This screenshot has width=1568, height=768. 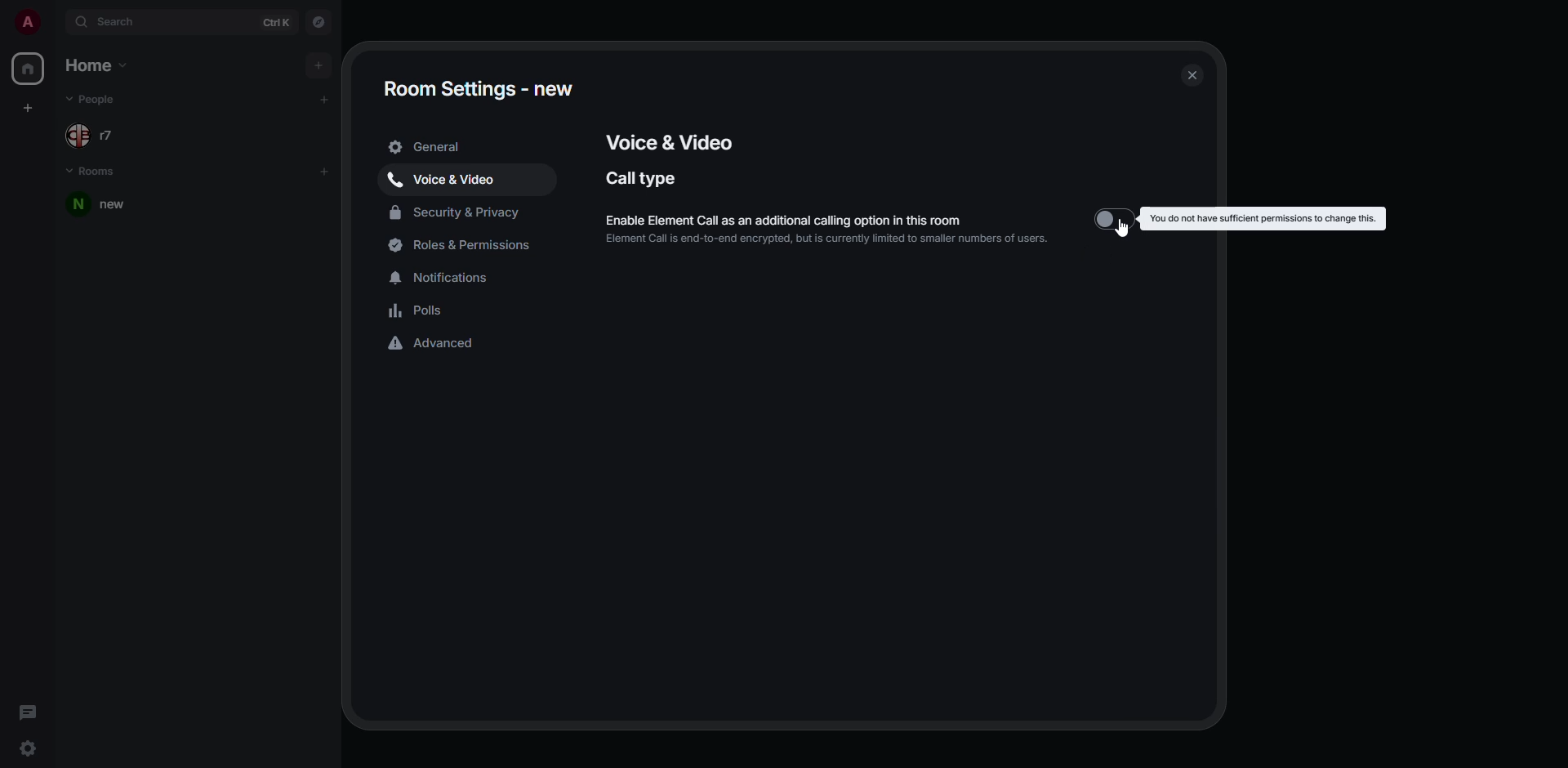 What do you see at coordinates (457, 210) in the screenshot?
I see `security & privacy` at bounding box center [457, 210].